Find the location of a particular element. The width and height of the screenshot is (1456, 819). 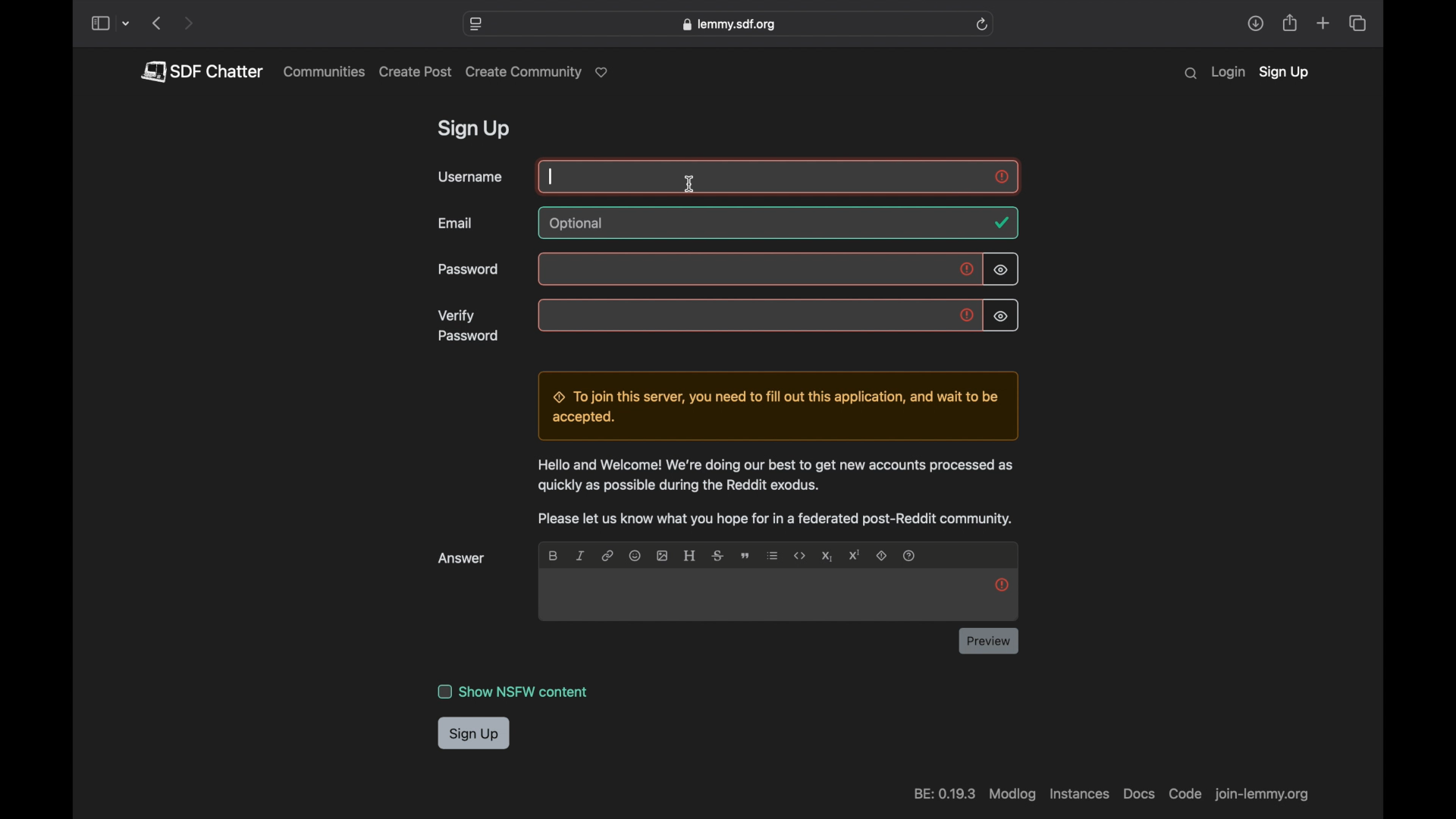

quote is located at coordinates (747, 556).